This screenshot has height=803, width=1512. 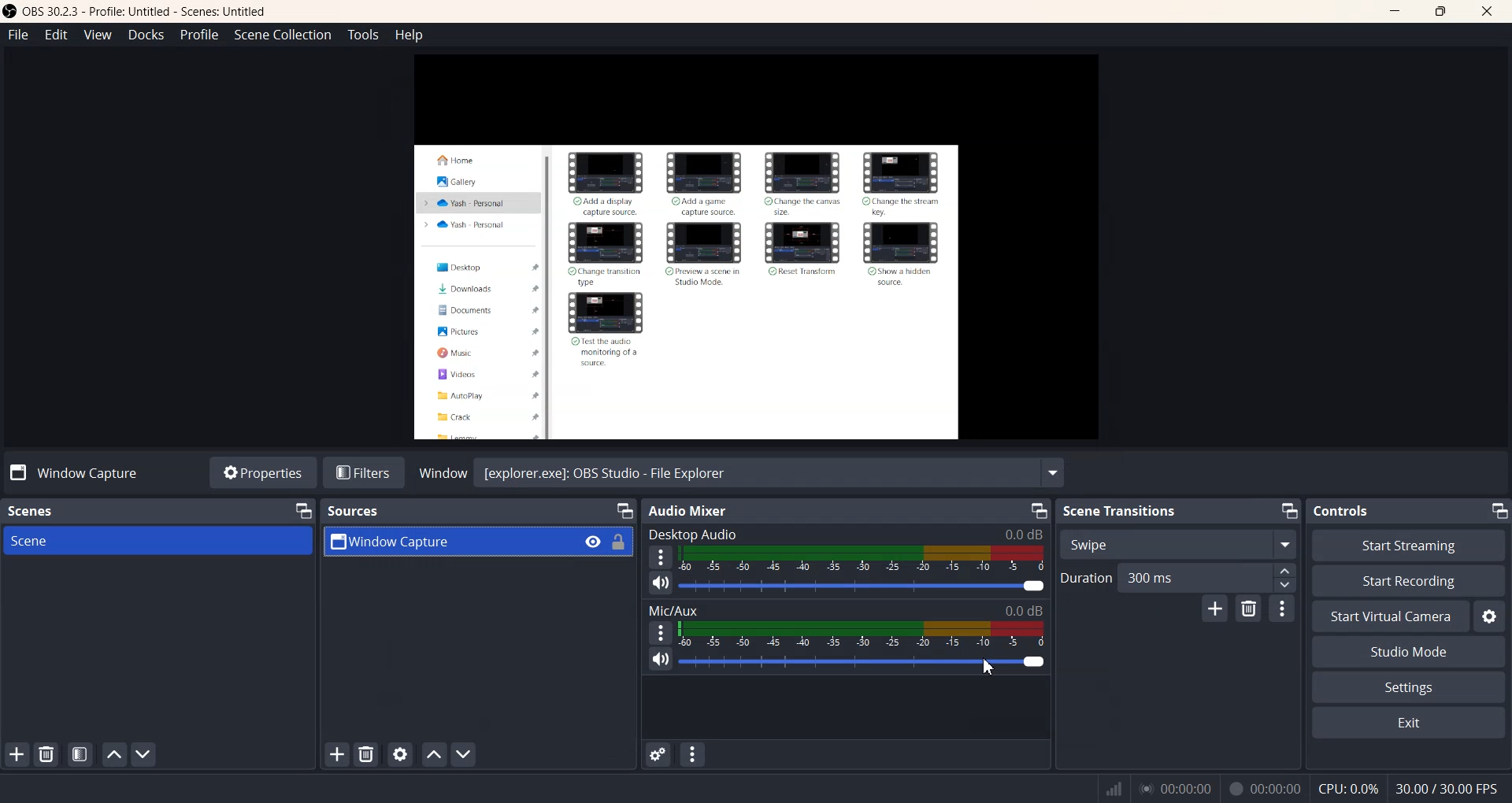 I want to click on Add Scene, so click(x=16, y=754).